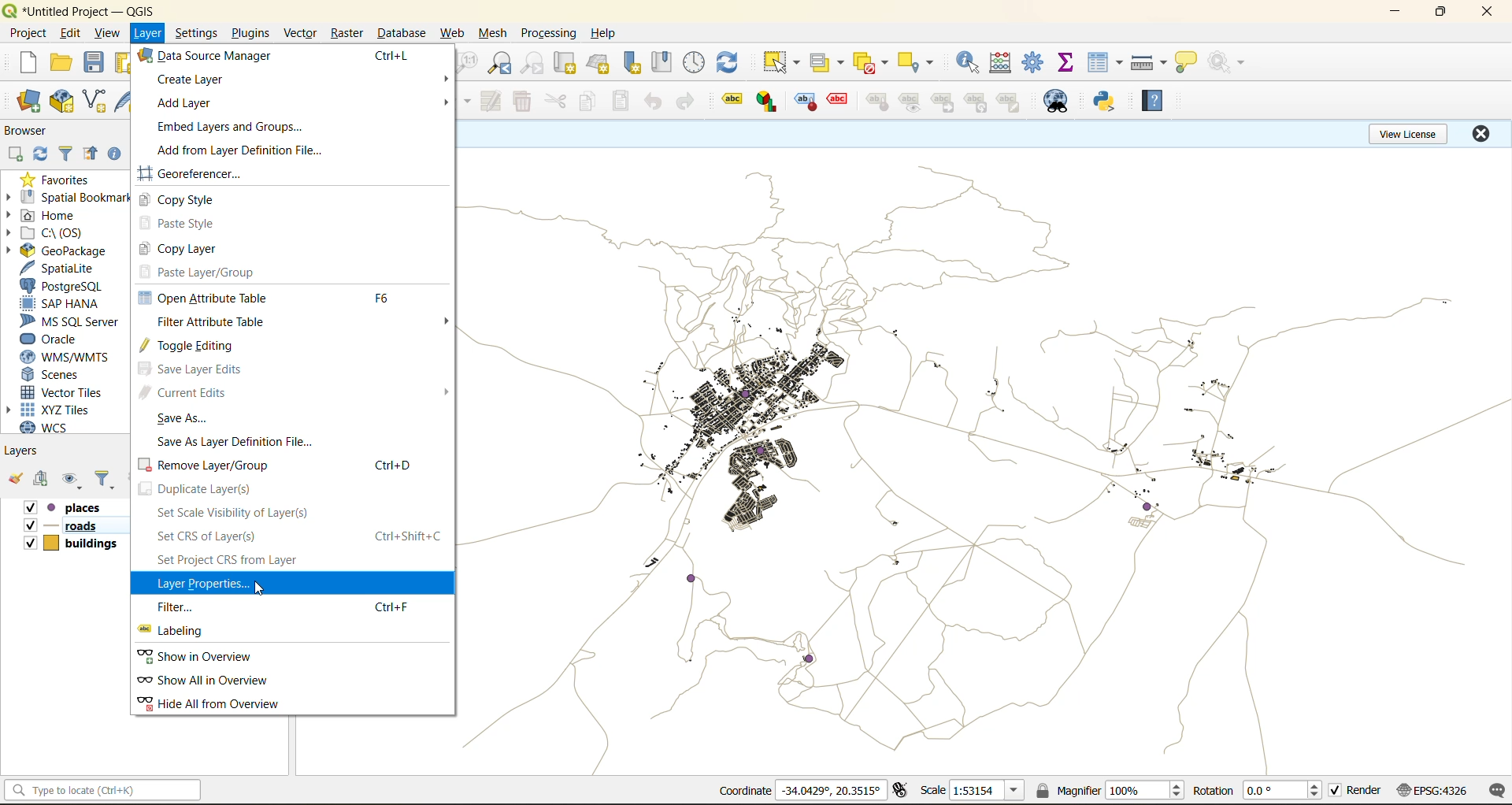 The image size is (1512, 805). Describe the element at coordinates (28, 454) in the screenshot. I see `layers` at that location.